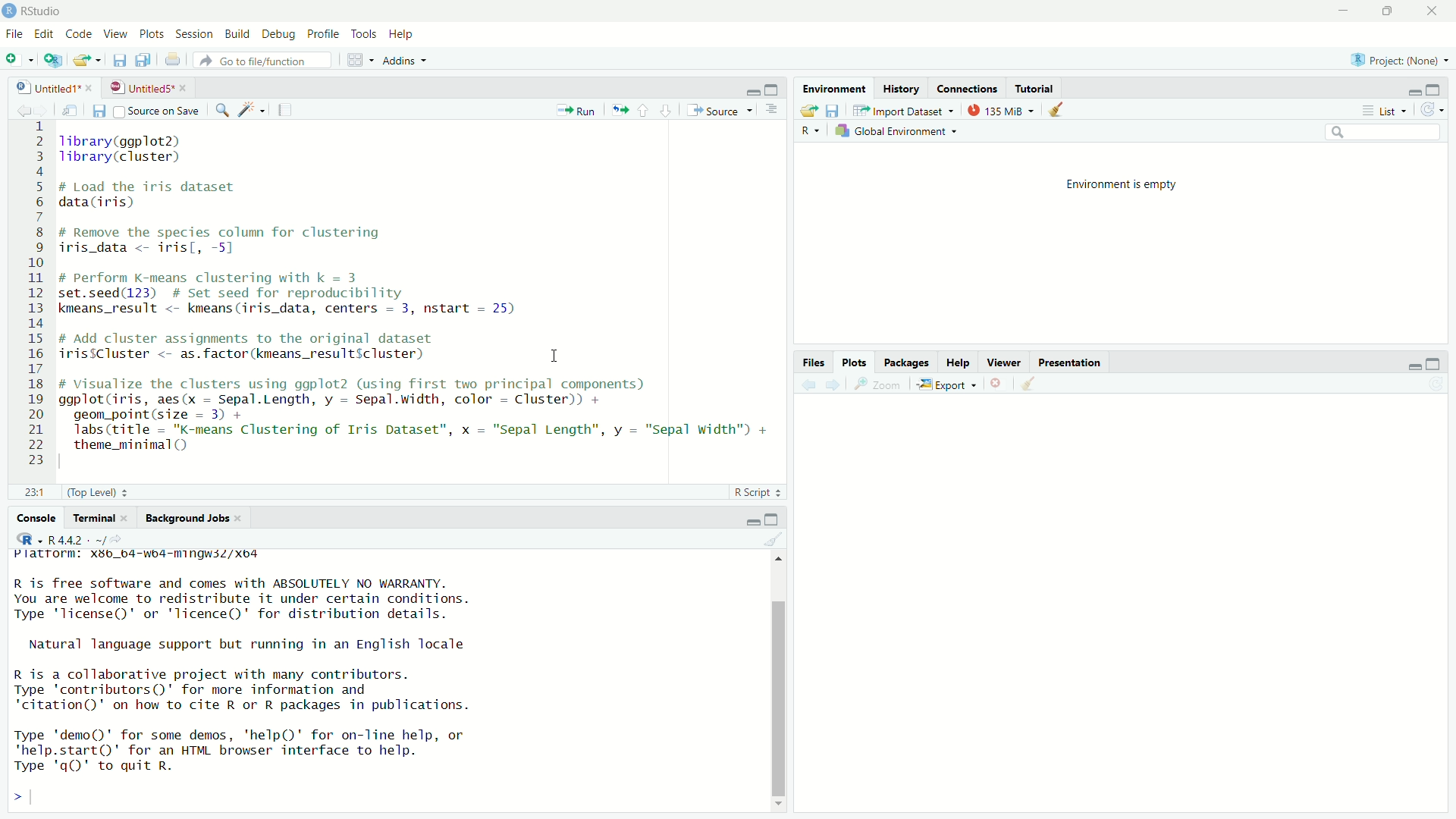 The width and height of the screenshot is (1456, 819). What do you see at coordinates (645, 108) in the screenshot?
I see `go to previous section/chunk` at bounding box center [645, 108].